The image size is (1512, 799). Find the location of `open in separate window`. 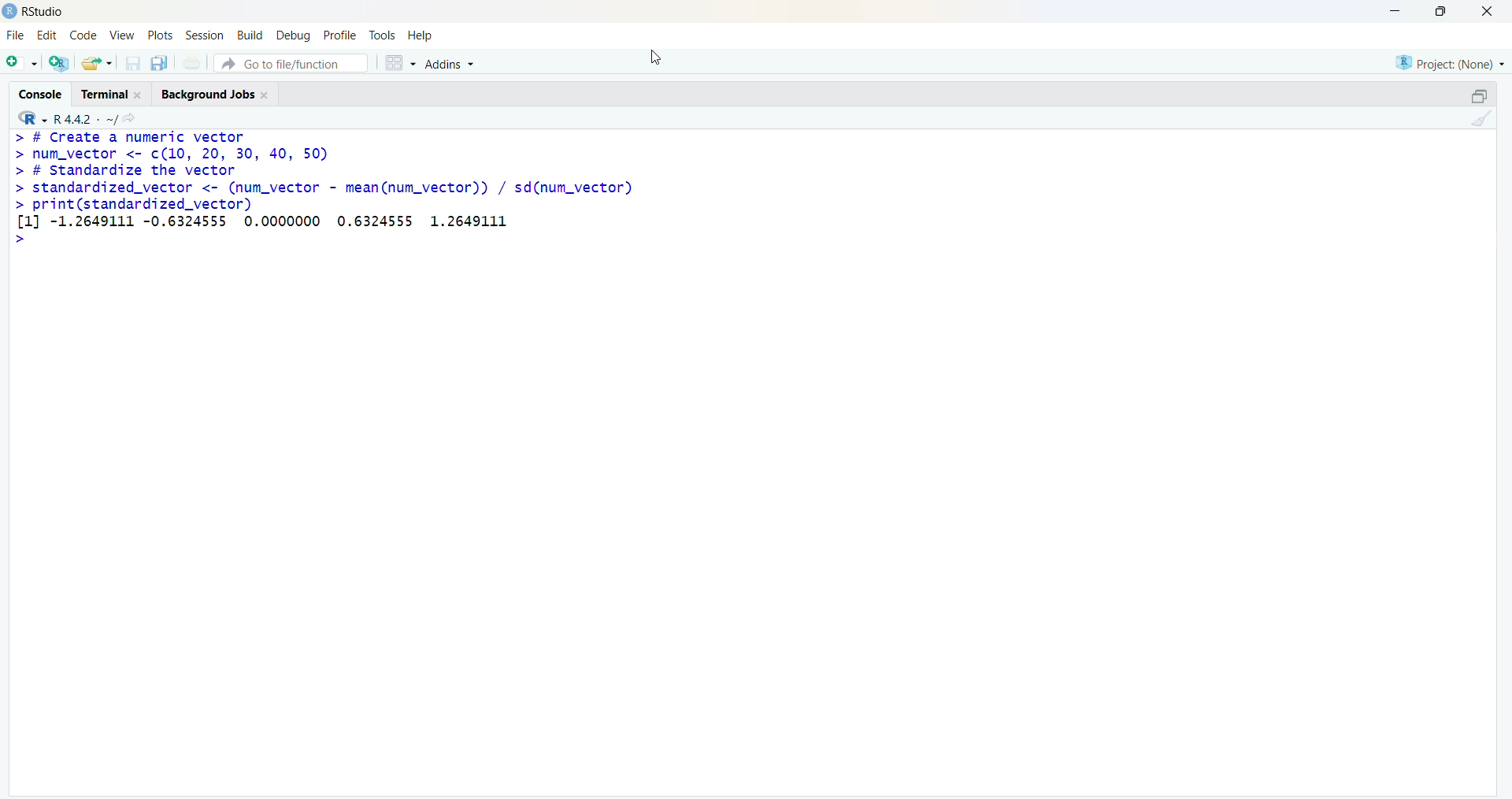

open in separate window is located at coordinates (1481, 95).